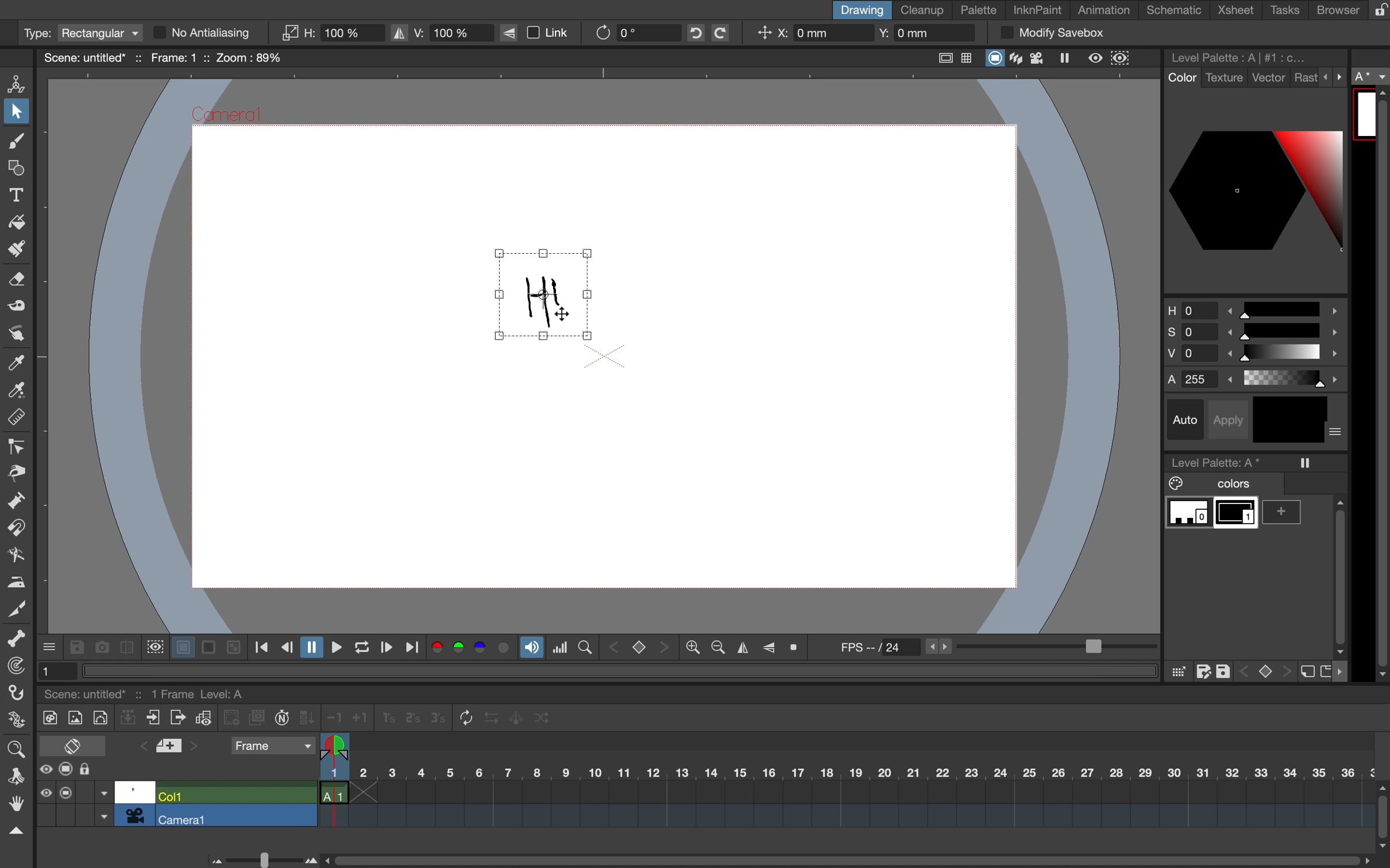 This screenshot has width=1390, height=868. What do you see at coordinates (153, 646) in the screenshot?
I see `define sub camera` at bounding box center [153, 646].